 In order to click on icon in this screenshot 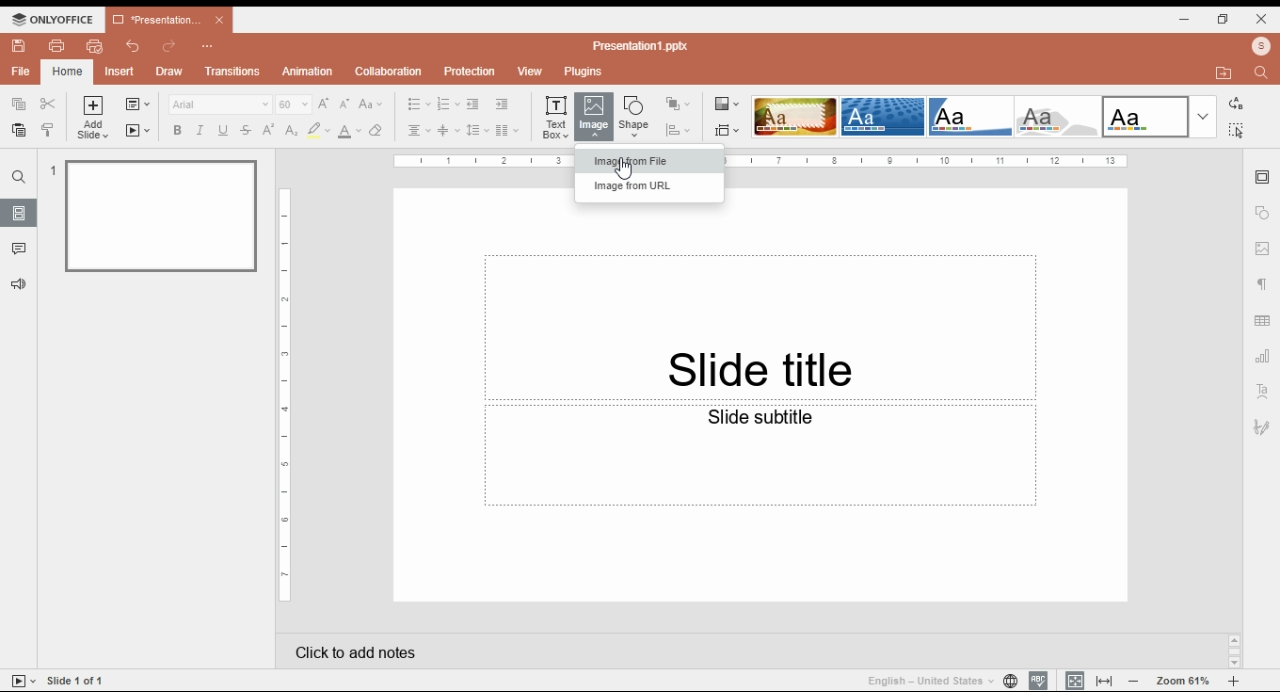, I will do `click(54, 18)`.